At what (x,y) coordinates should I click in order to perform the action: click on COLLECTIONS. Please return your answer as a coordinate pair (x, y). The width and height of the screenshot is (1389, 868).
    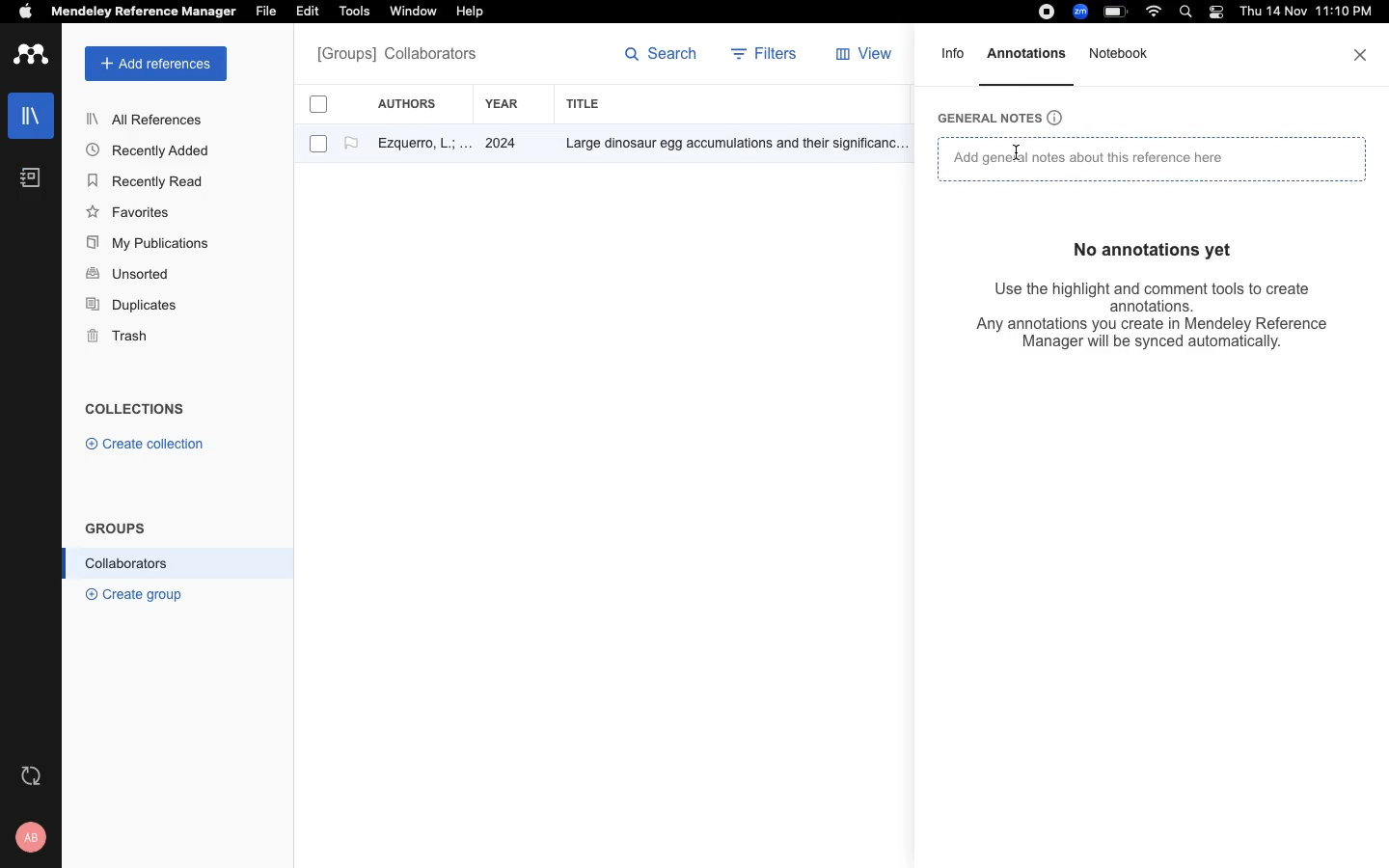
    Looking at the image, I should click on (135, 411).